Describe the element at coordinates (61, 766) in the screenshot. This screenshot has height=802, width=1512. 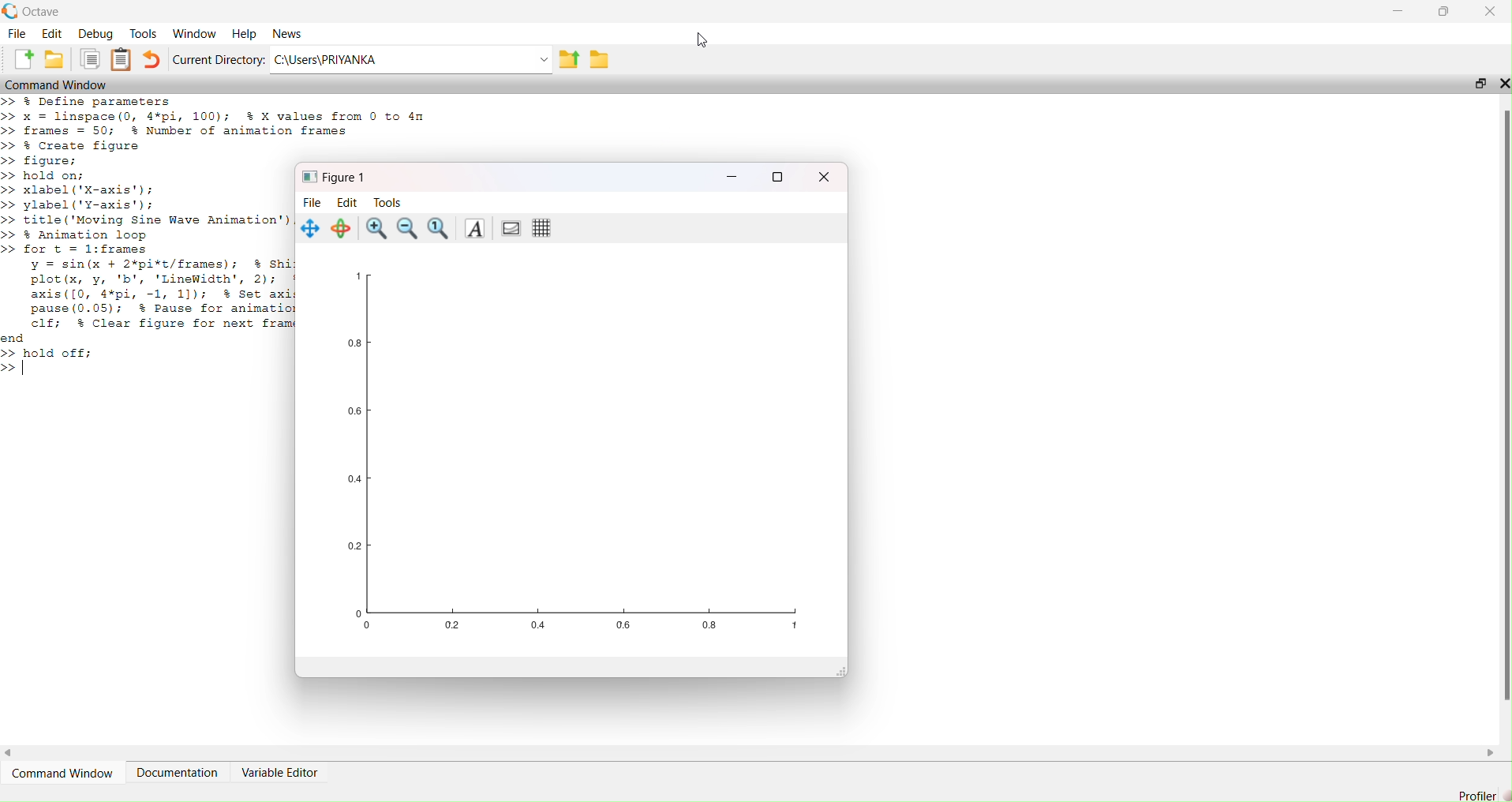
I see `Command Window` at that location.